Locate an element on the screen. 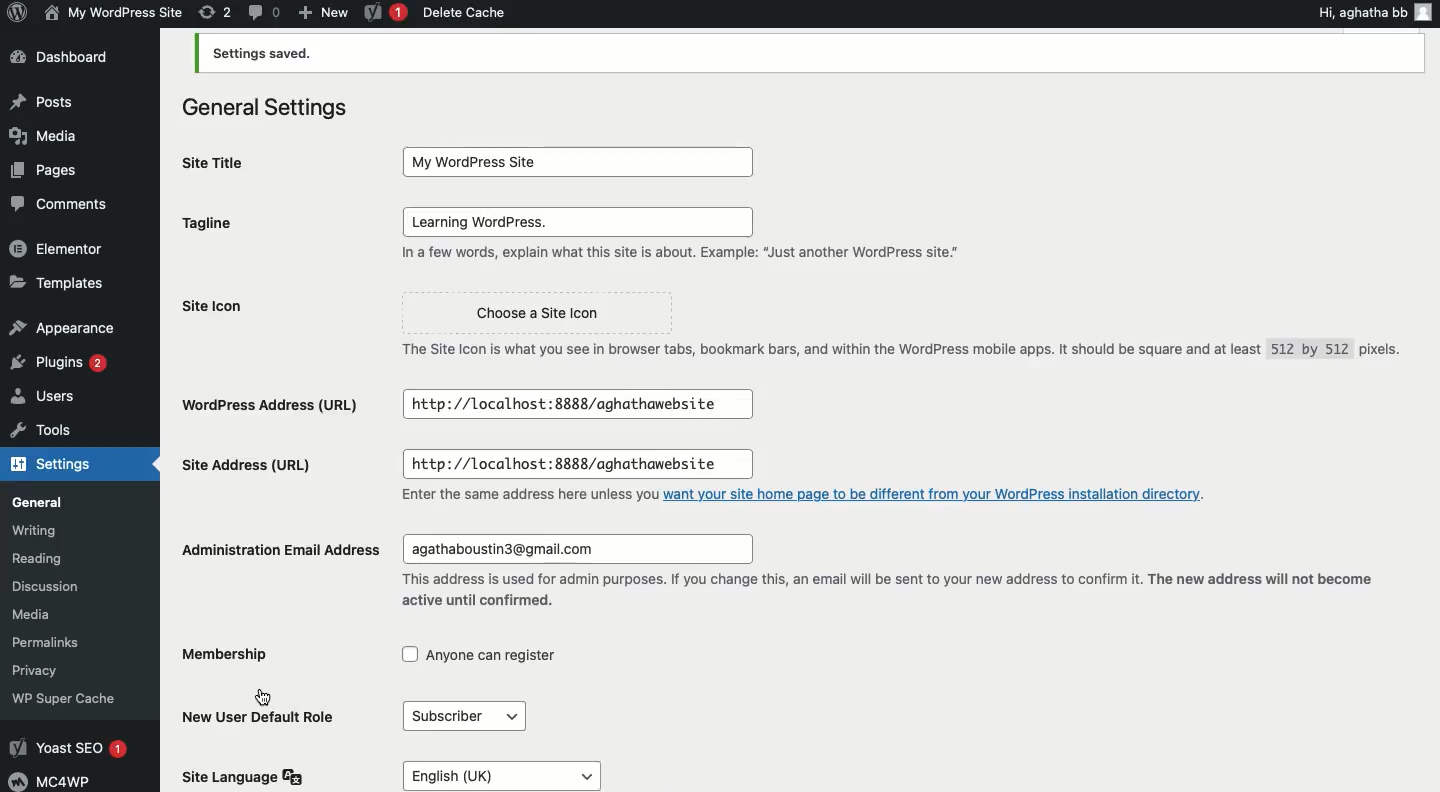  Elementor is located at coordinates (62, 246).